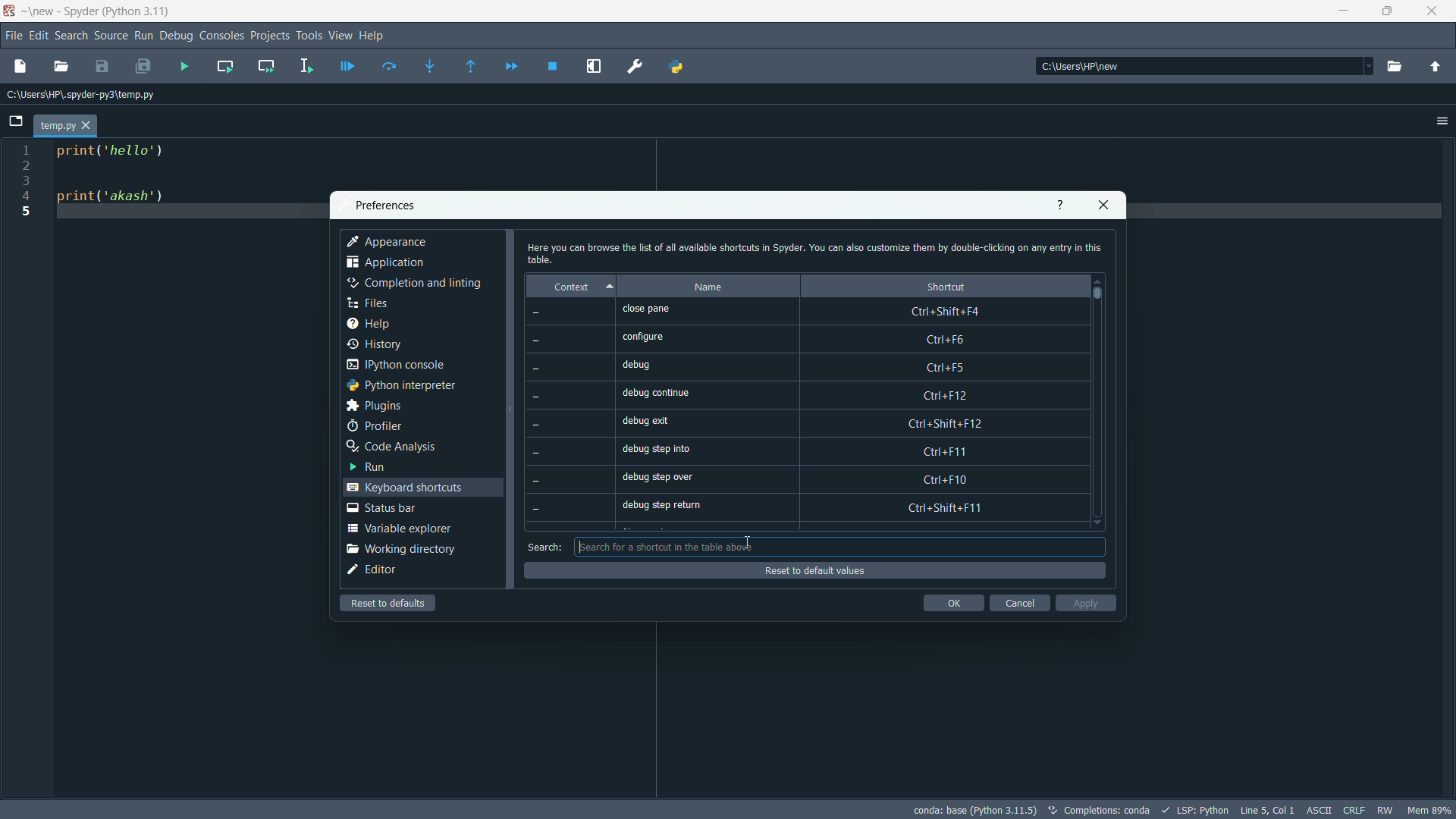  Describe the element at coordinates (375, 406) in the screenshot. I see `plugins` at that location.